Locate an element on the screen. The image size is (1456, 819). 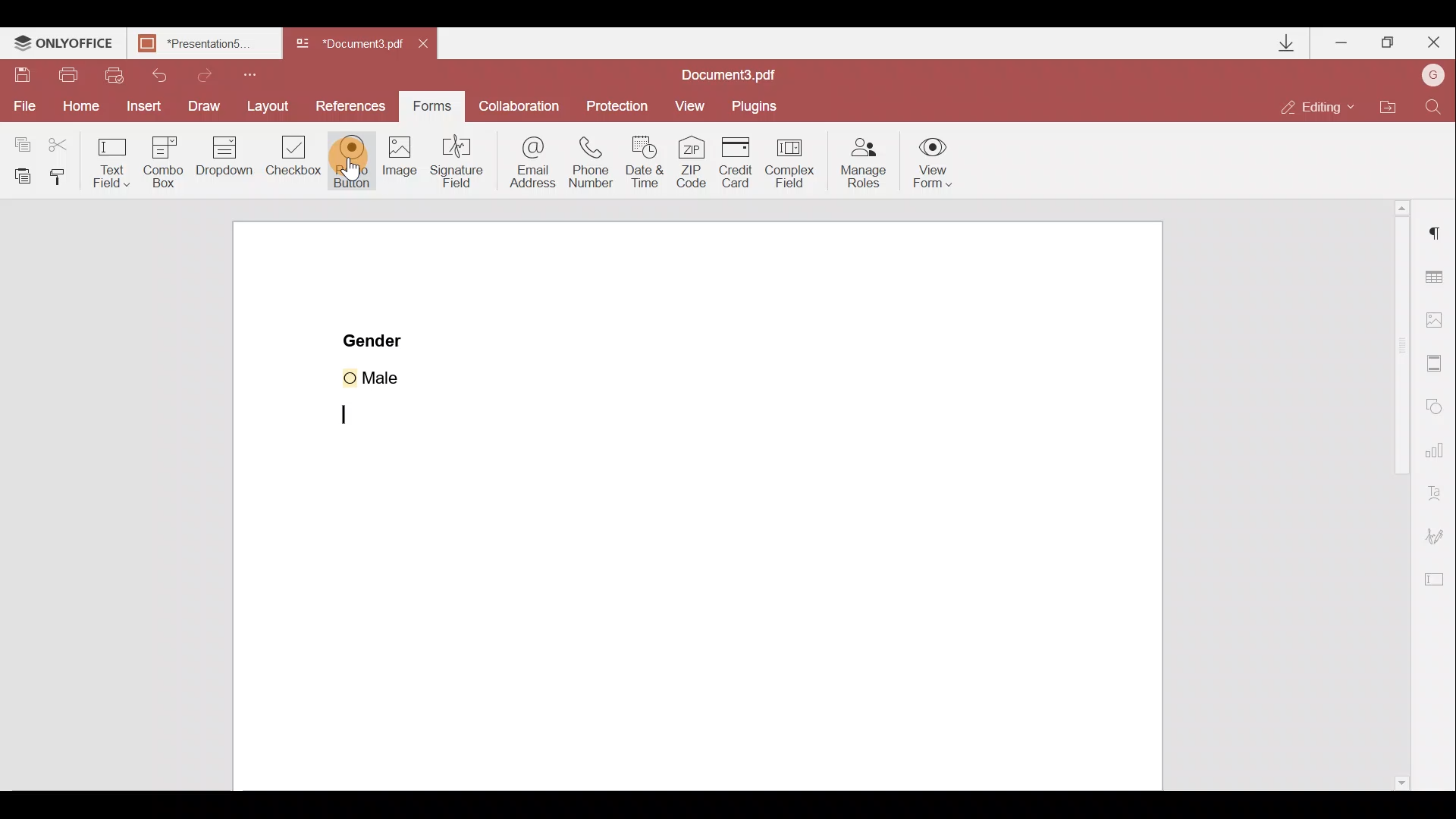
Editing mode is located at coordinates (1323, 101).